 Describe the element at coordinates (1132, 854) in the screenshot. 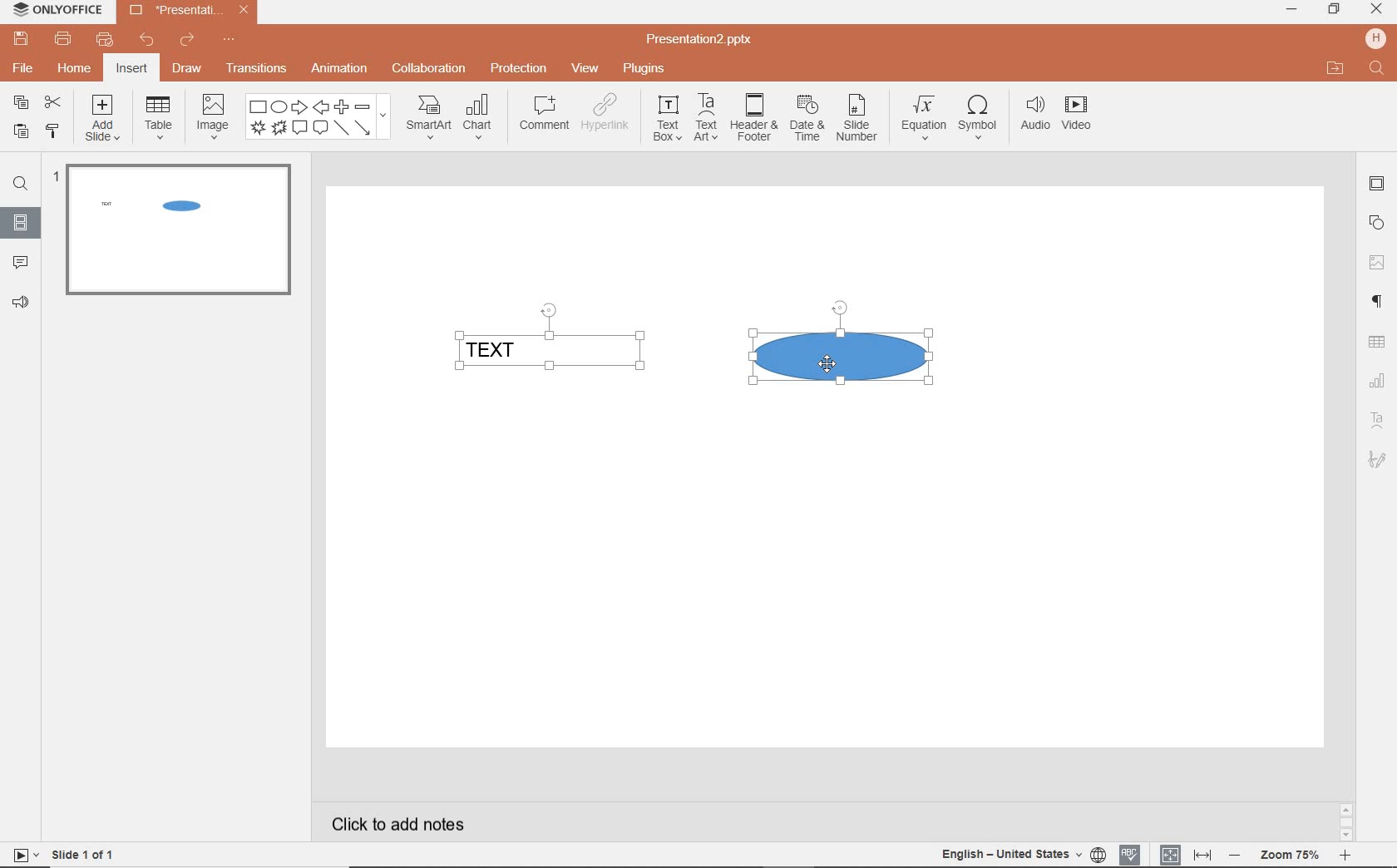

I see `SPELL CHECKING` at that location.